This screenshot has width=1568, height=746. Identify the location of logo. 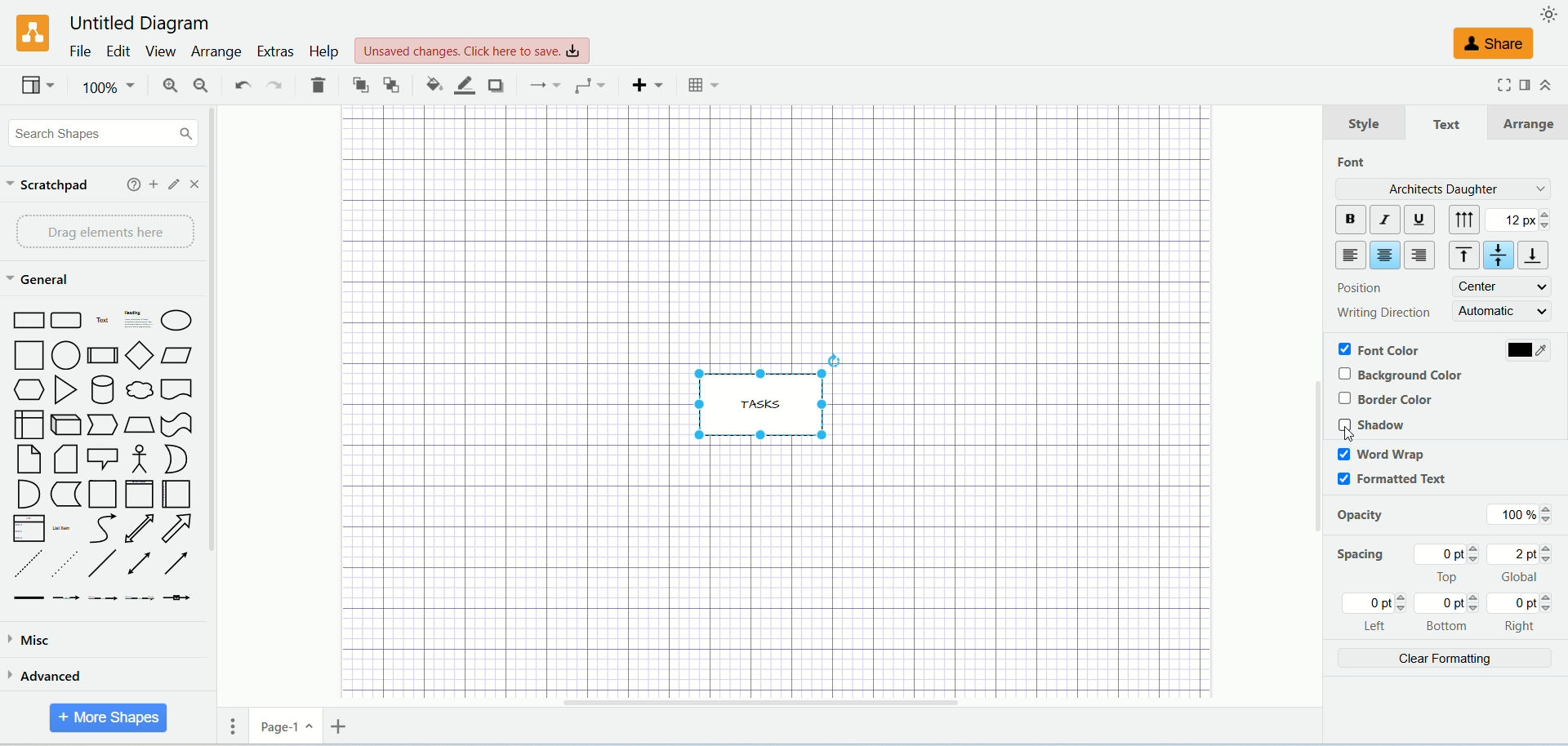
(28, 33).